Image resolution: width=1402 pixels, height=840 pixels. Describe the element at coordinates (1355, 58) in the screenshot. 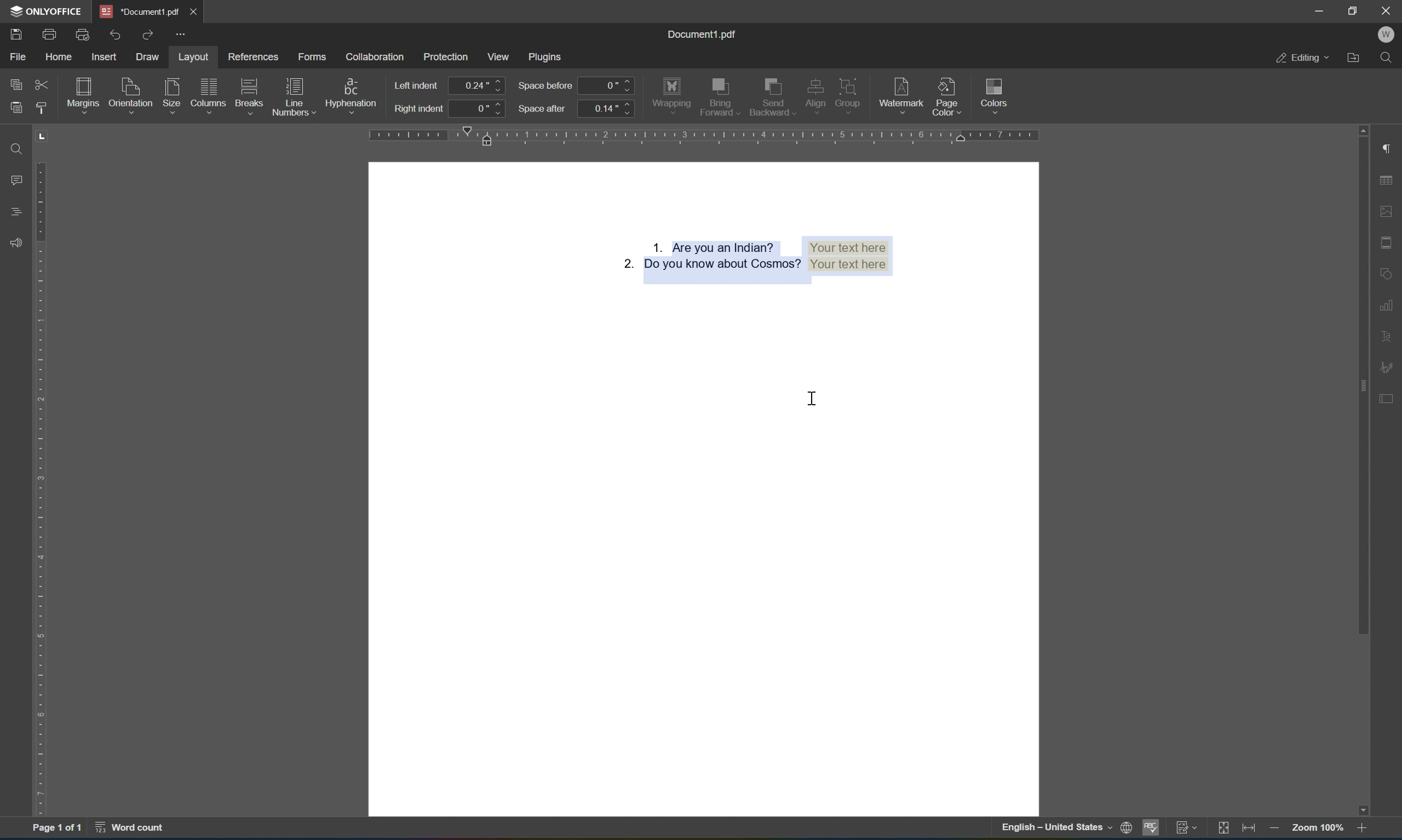

I see `open file location` at that location.